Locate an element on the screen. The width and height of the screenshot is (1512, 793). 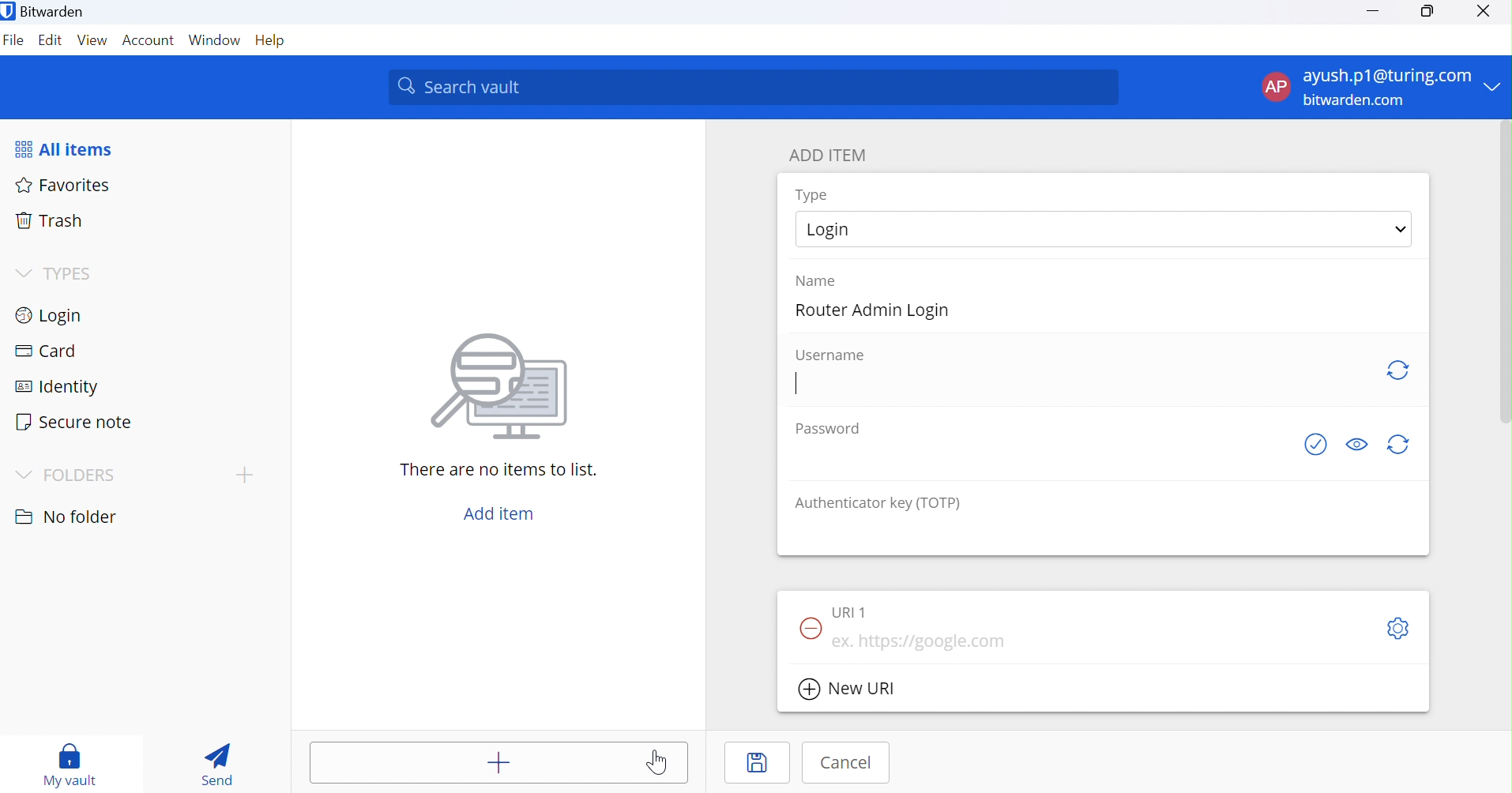
Type is located at coordinates (812, 194).